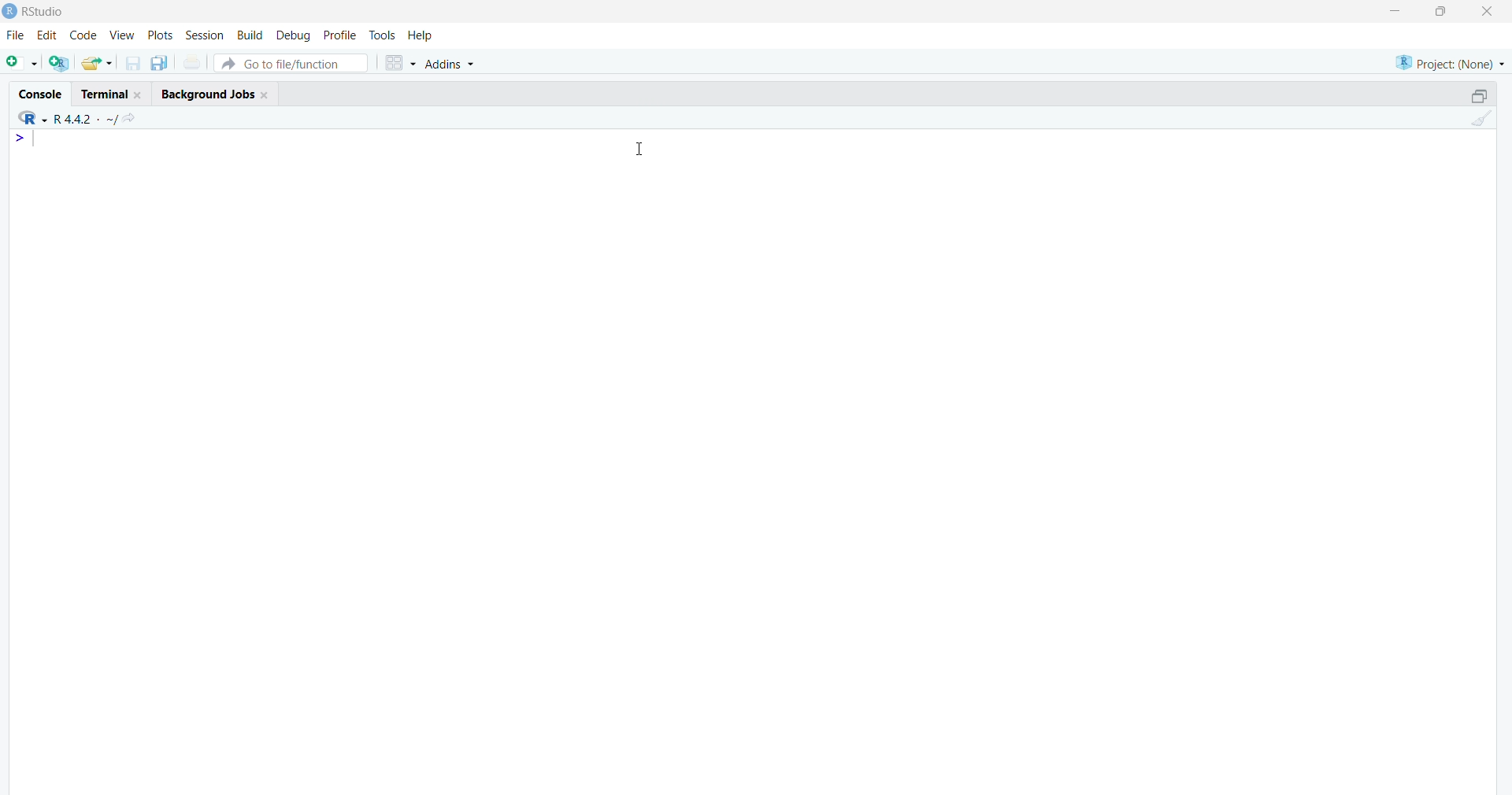 The width and height of the screenshot is (1512, 795). What do you see at coordinates (1479, 96) in the screenshot?
I see `maximize` at bounding box center [1479, 96].